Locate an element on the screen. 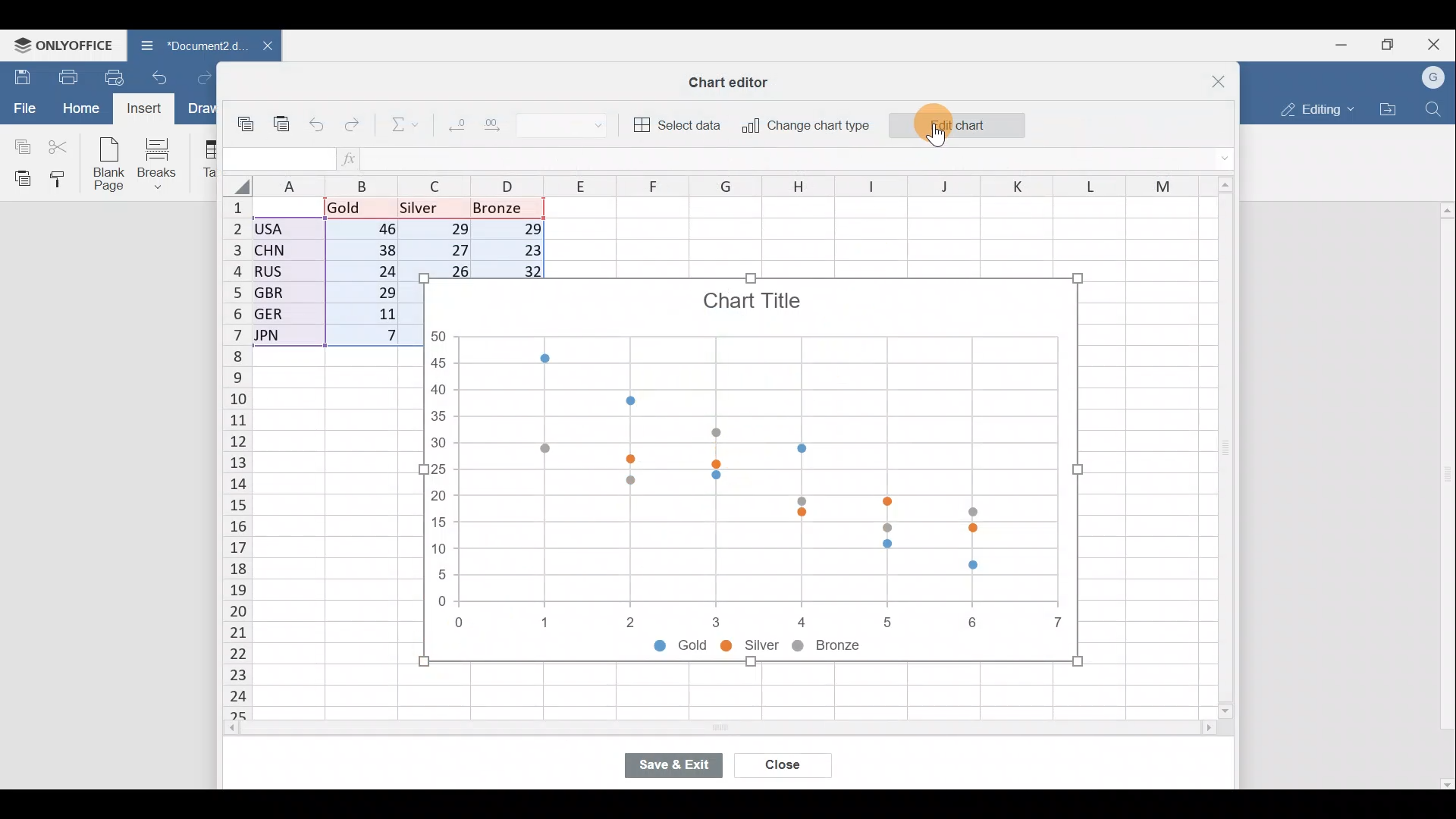 This screenshot has height=819, width=1456. Change chart type is located at coordinates (805, 126).